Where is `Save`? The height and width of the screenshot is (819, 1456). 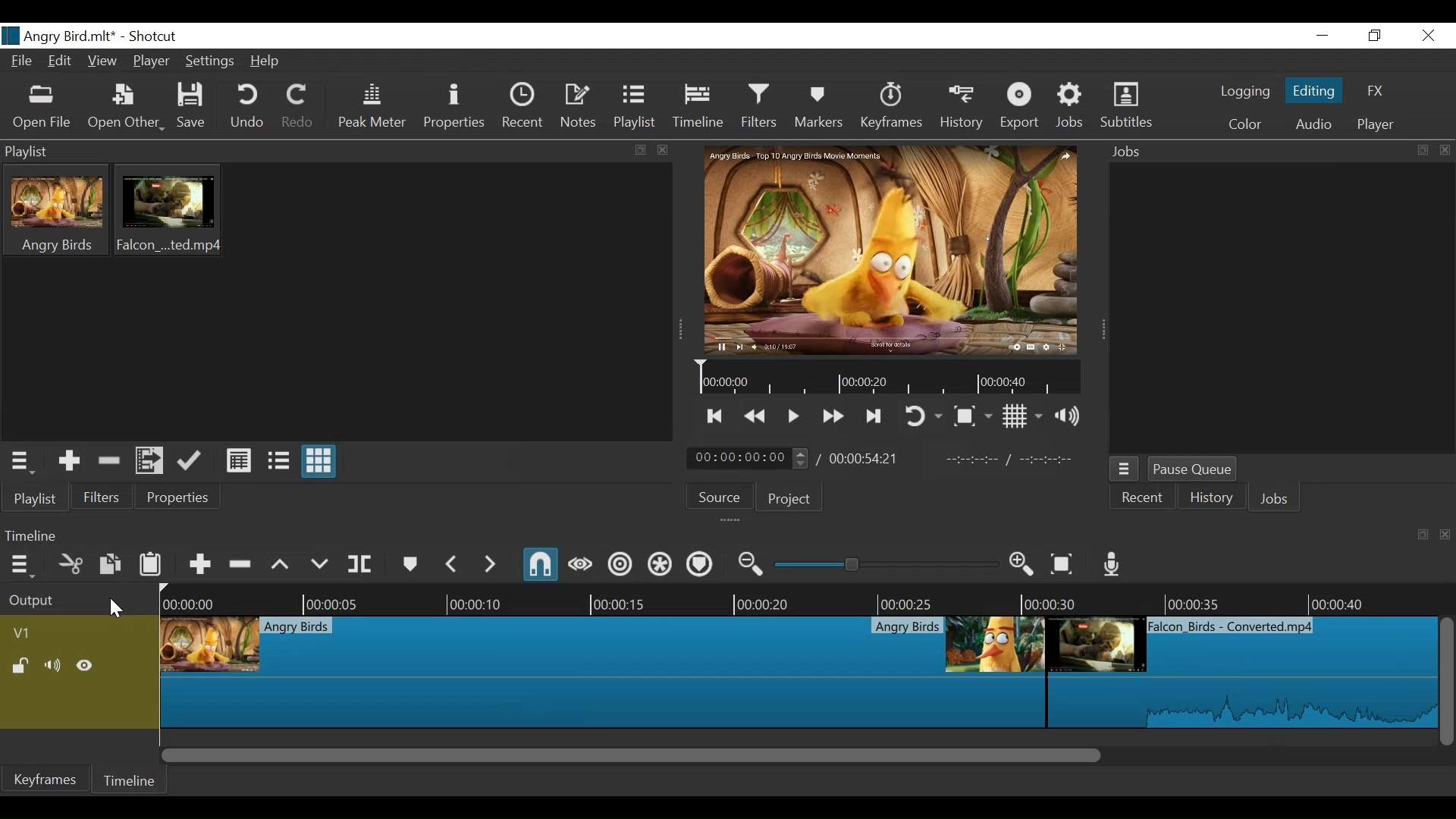
Save is located at coordinates (193, 108).